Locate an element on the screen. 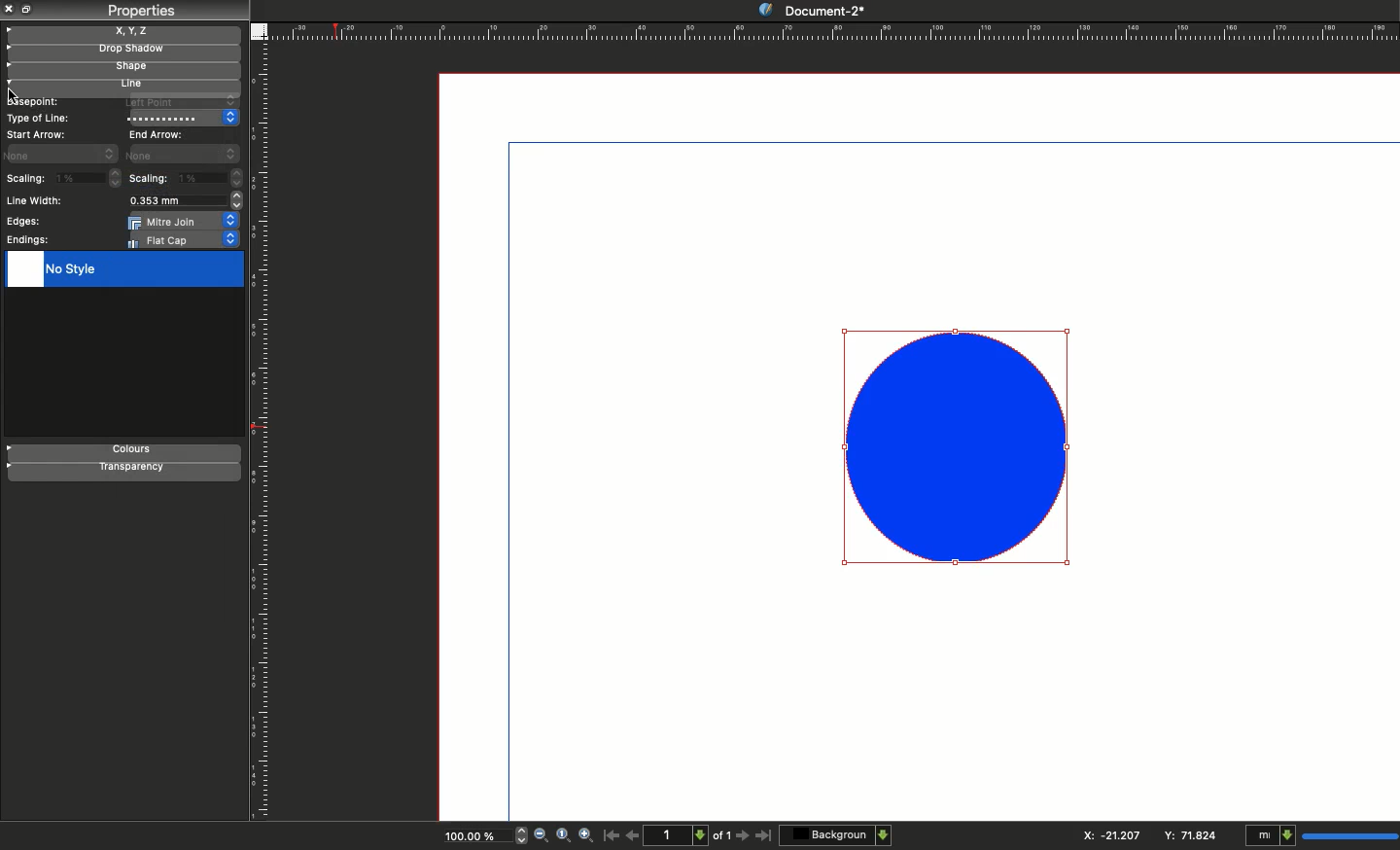 The height and width of the screenshot is (850, 1400). Line is located at coordinates (183, 118).